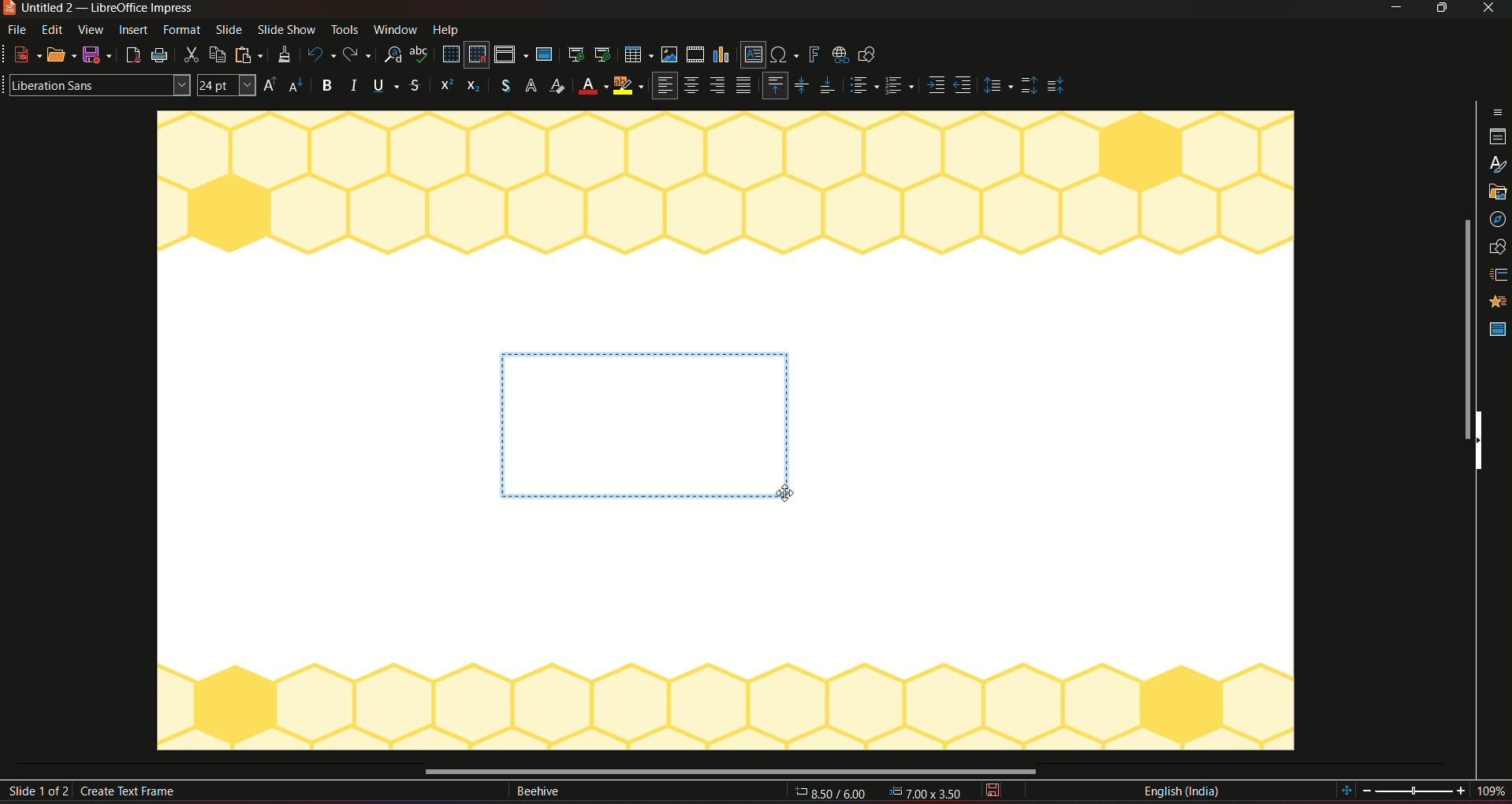 The height and width of the screenshot is (804, 1512). Describe the element at coordinates (318, 441) in the screenshot. I see `workspace` at that location.